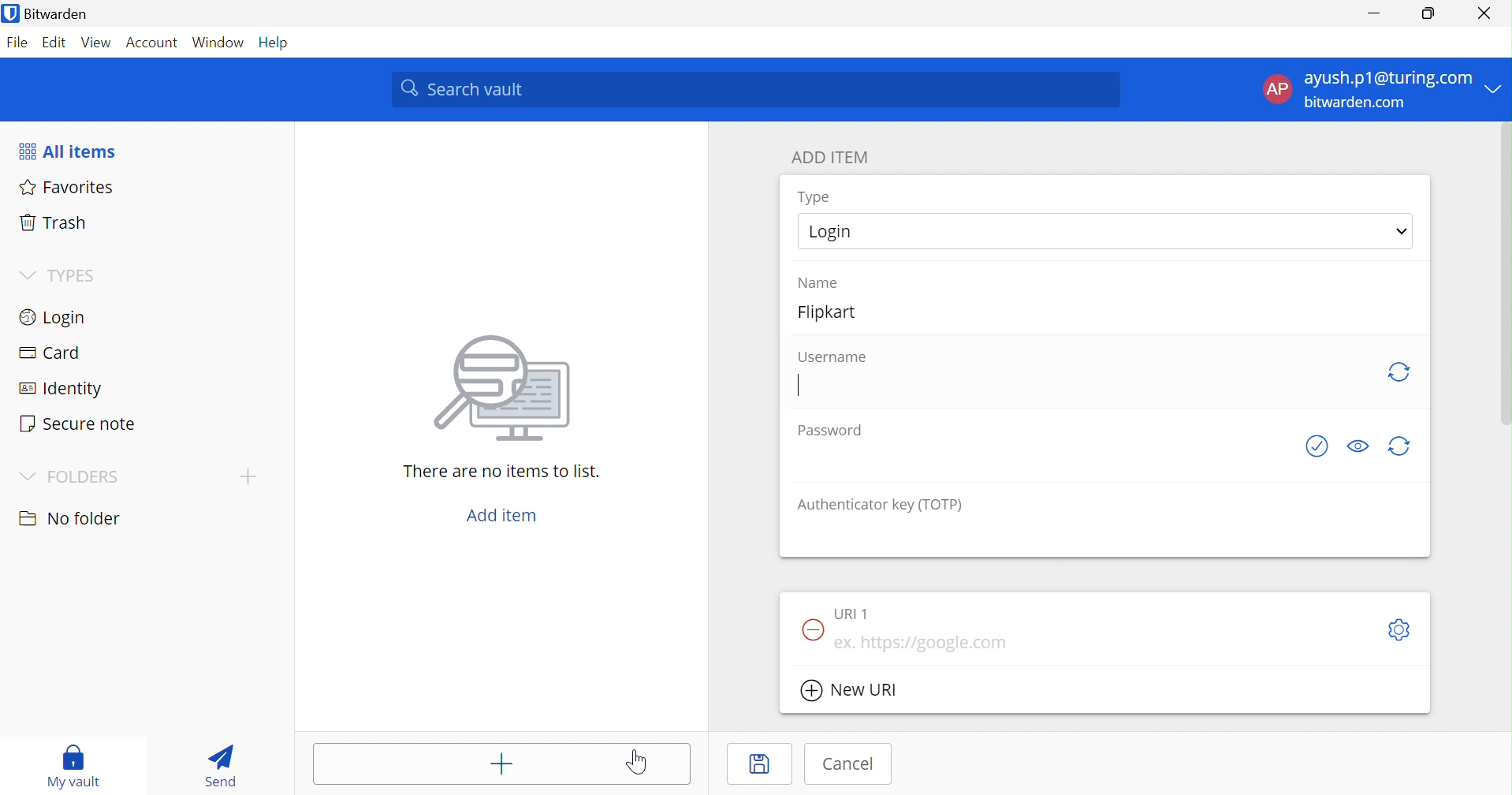 This screenshot has width=1512, height=795. I want to click on Search Vault, so click(757, 89).